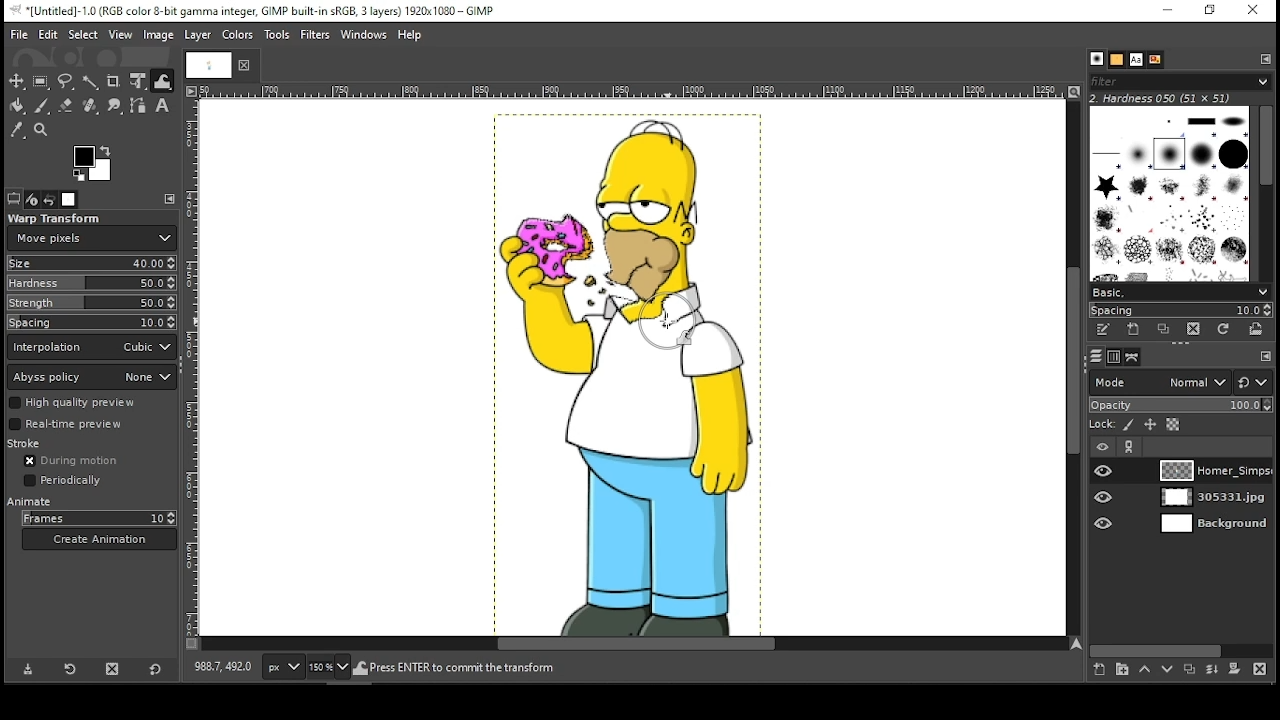  Describe the element at coordinates (1124, 671) in the screenshot. I see `create a new layer group` at that location.